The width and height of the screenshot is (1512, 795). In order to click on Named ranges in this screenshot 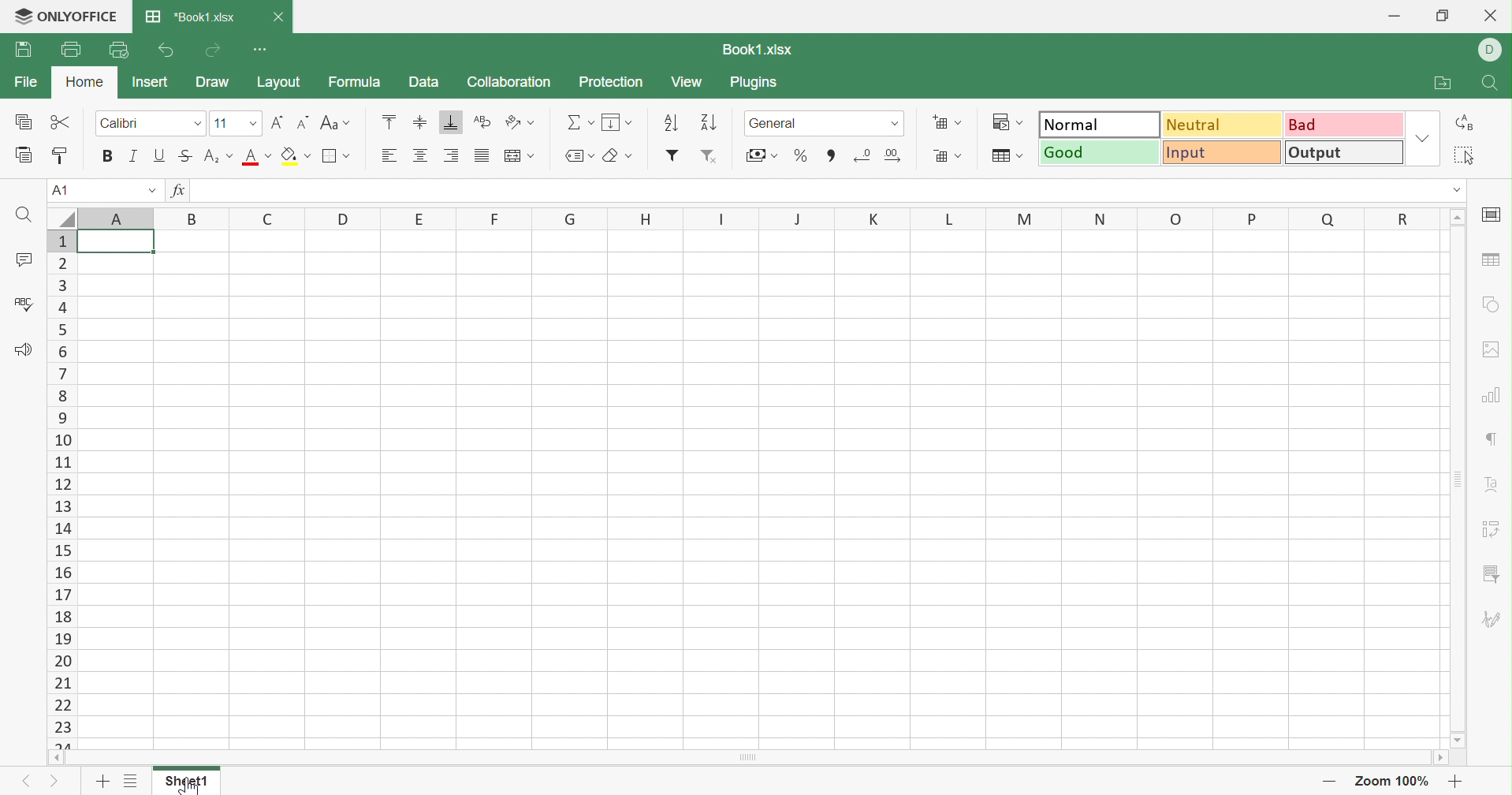, I will do `click(581, 155)`.